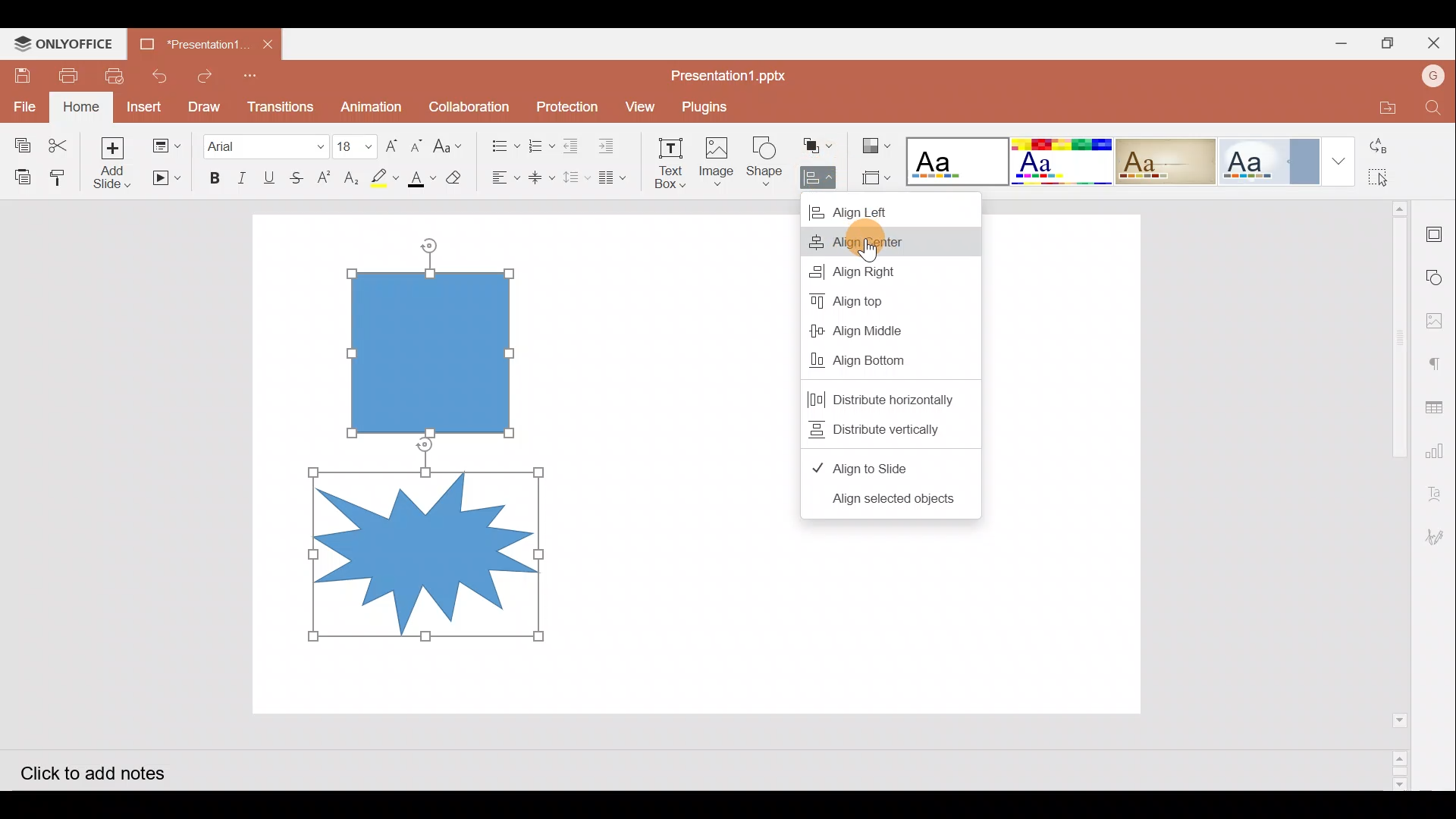 This screenshot has height=819, width=1456. I want to click on Paste, so click(20, 175).